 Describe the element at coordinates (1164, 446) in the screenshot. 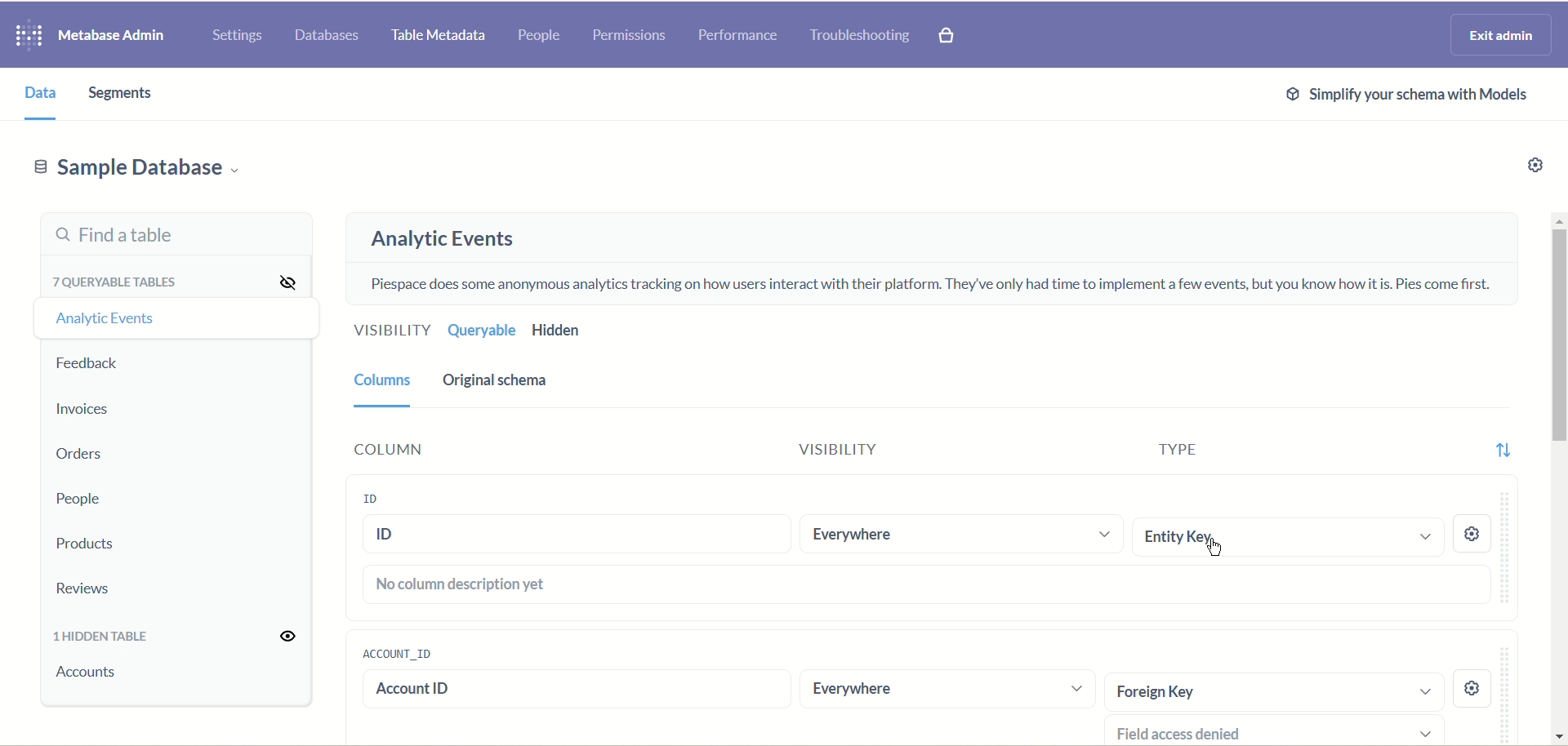

I see `type` at that location.